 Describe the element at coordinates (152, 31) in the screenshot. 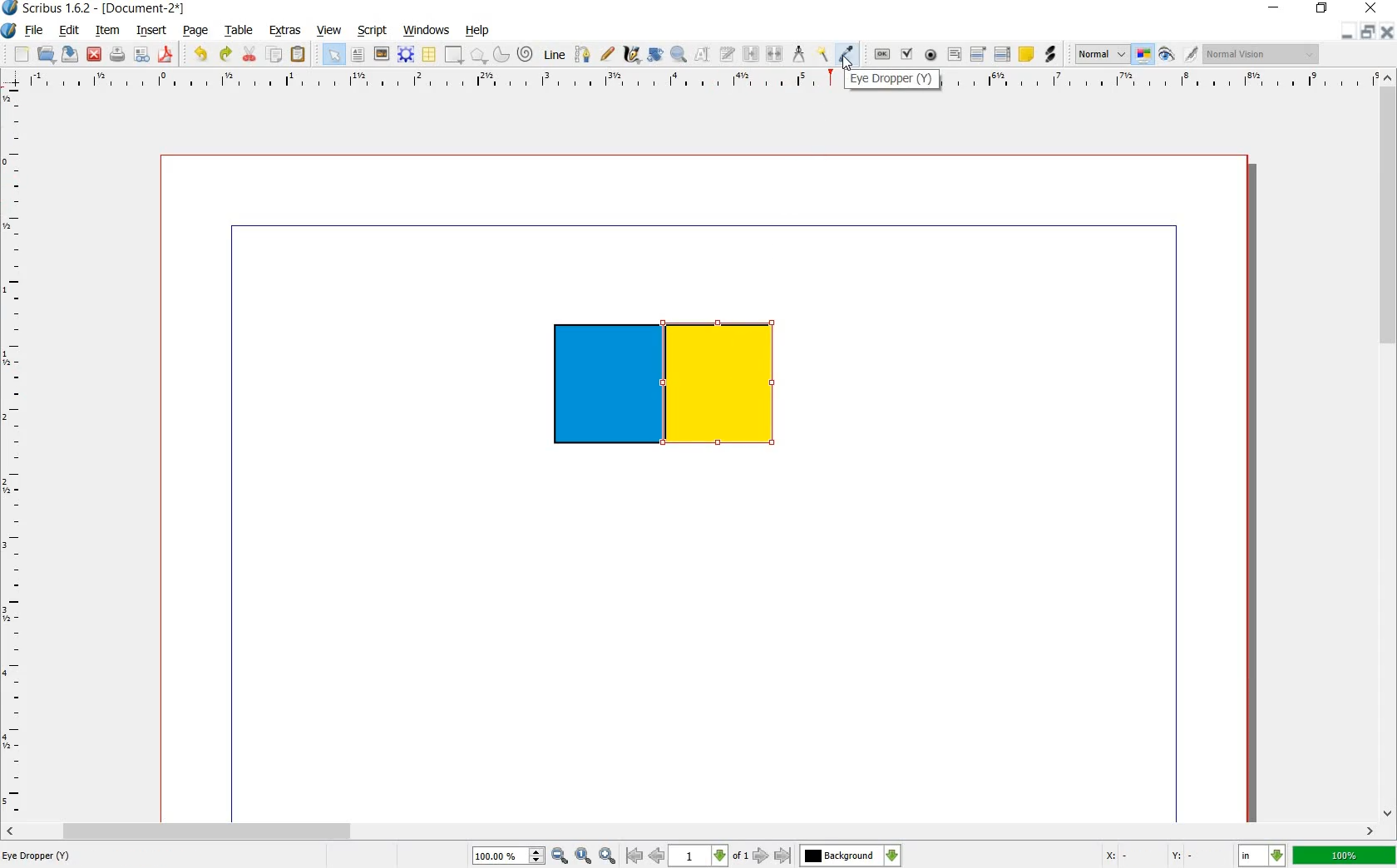

I see `insert` at that location.